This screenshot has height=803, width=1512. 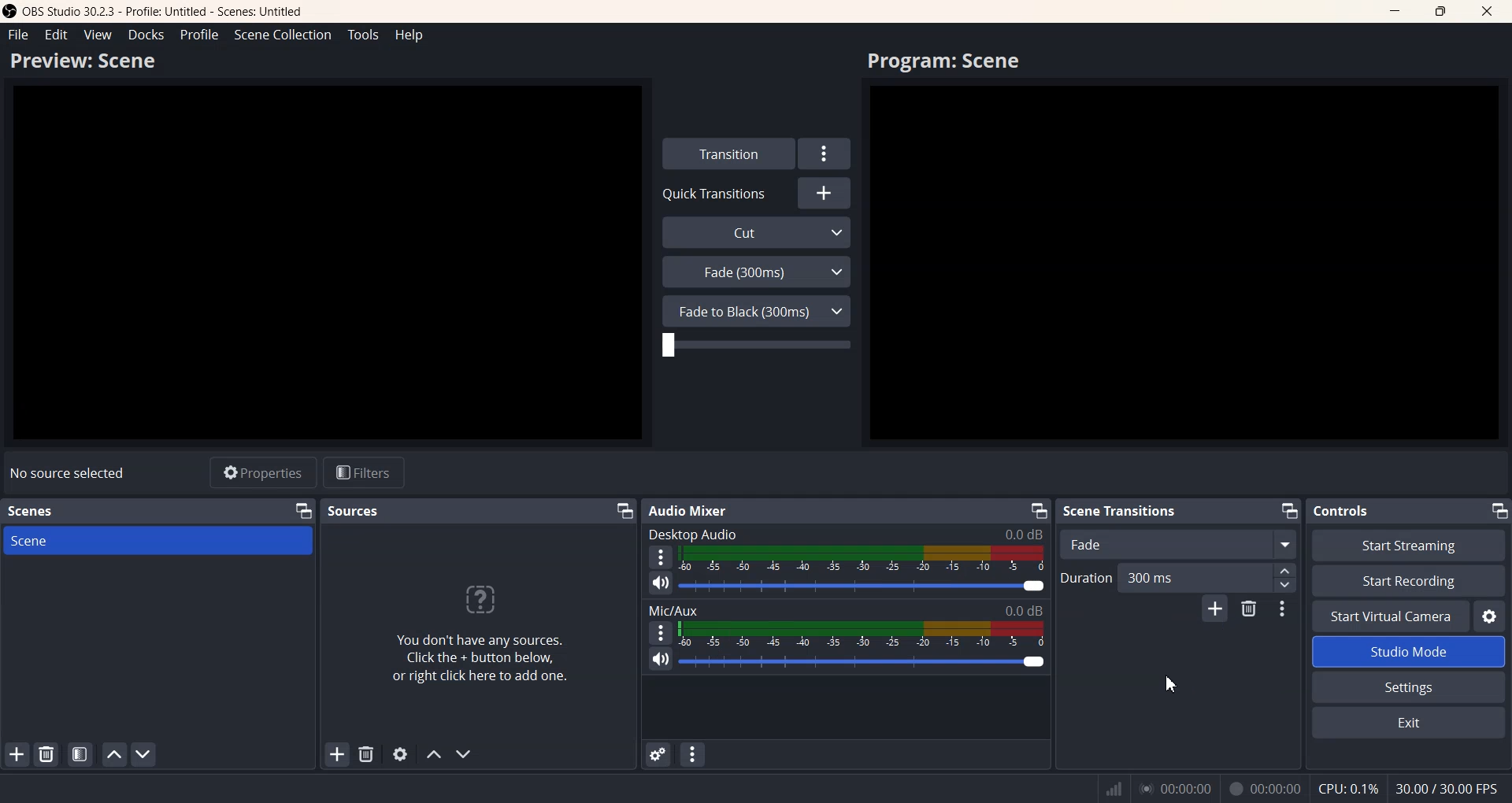 What do you see at coordinates (78, 753) in the screenshot?
I see `Open scene layout` at bounding box center [78, 753].